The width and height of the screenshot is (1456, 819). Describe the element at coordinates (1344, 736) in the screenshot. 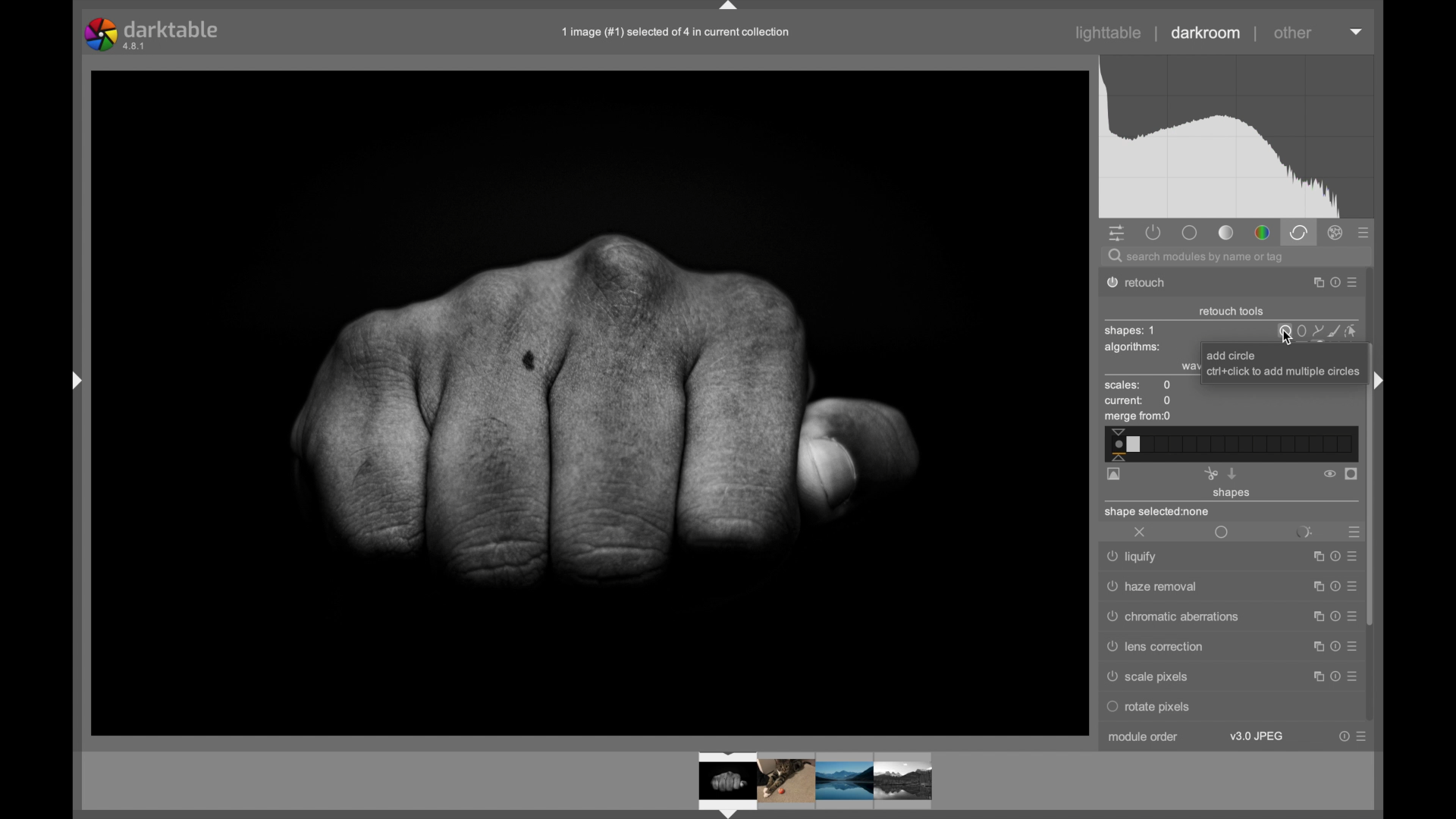

I see `help` at that location.